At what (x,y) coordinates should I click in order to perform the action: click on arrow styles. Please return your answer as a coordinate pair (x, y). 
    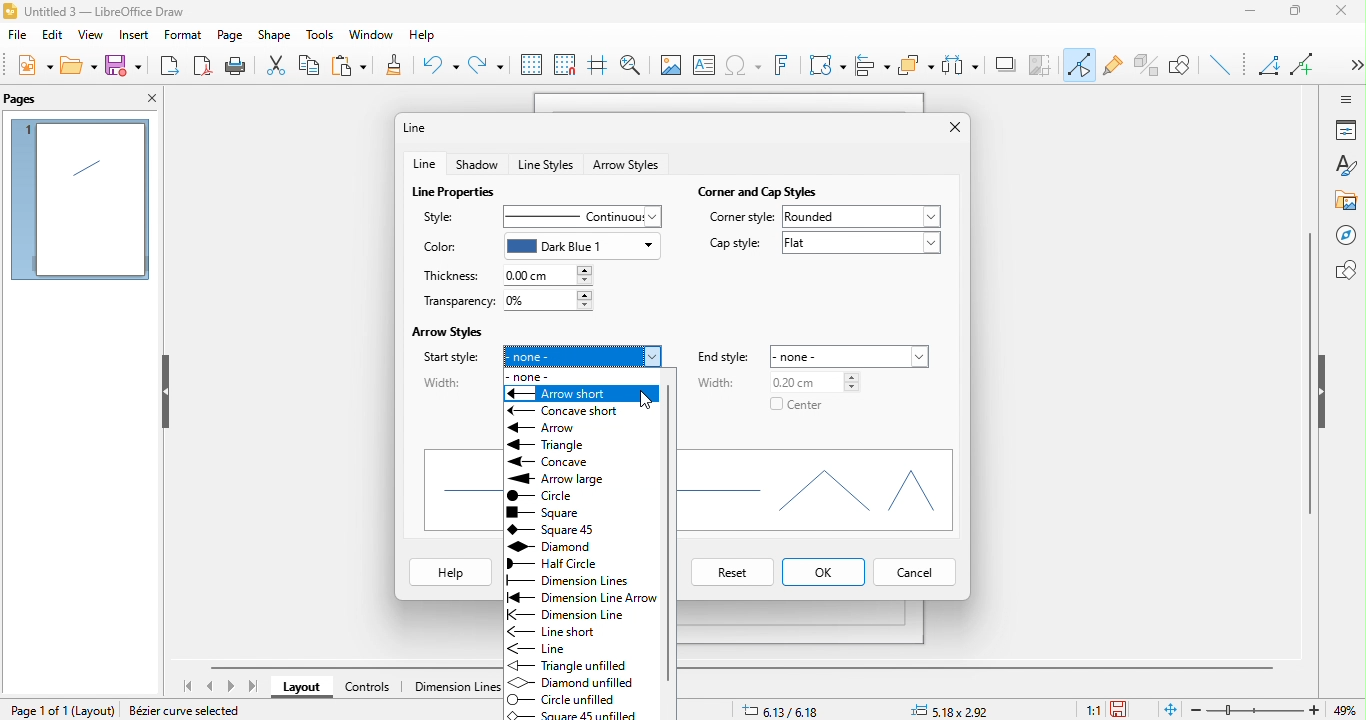
    Looking at the image, I should click on (452, 330).